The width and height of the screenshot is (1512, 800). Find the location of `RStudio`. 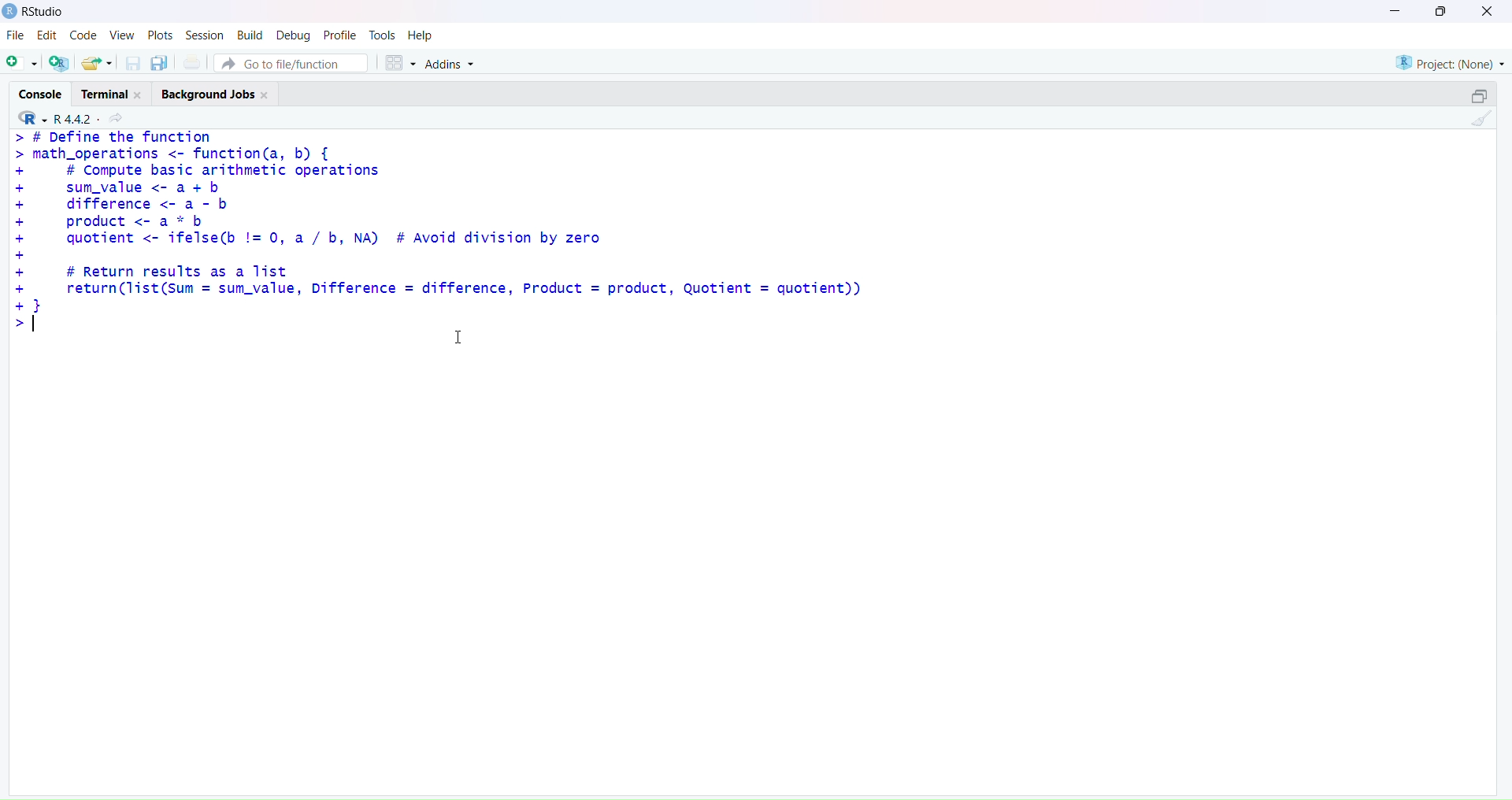

RStudio is located at coordinates (35, 12).